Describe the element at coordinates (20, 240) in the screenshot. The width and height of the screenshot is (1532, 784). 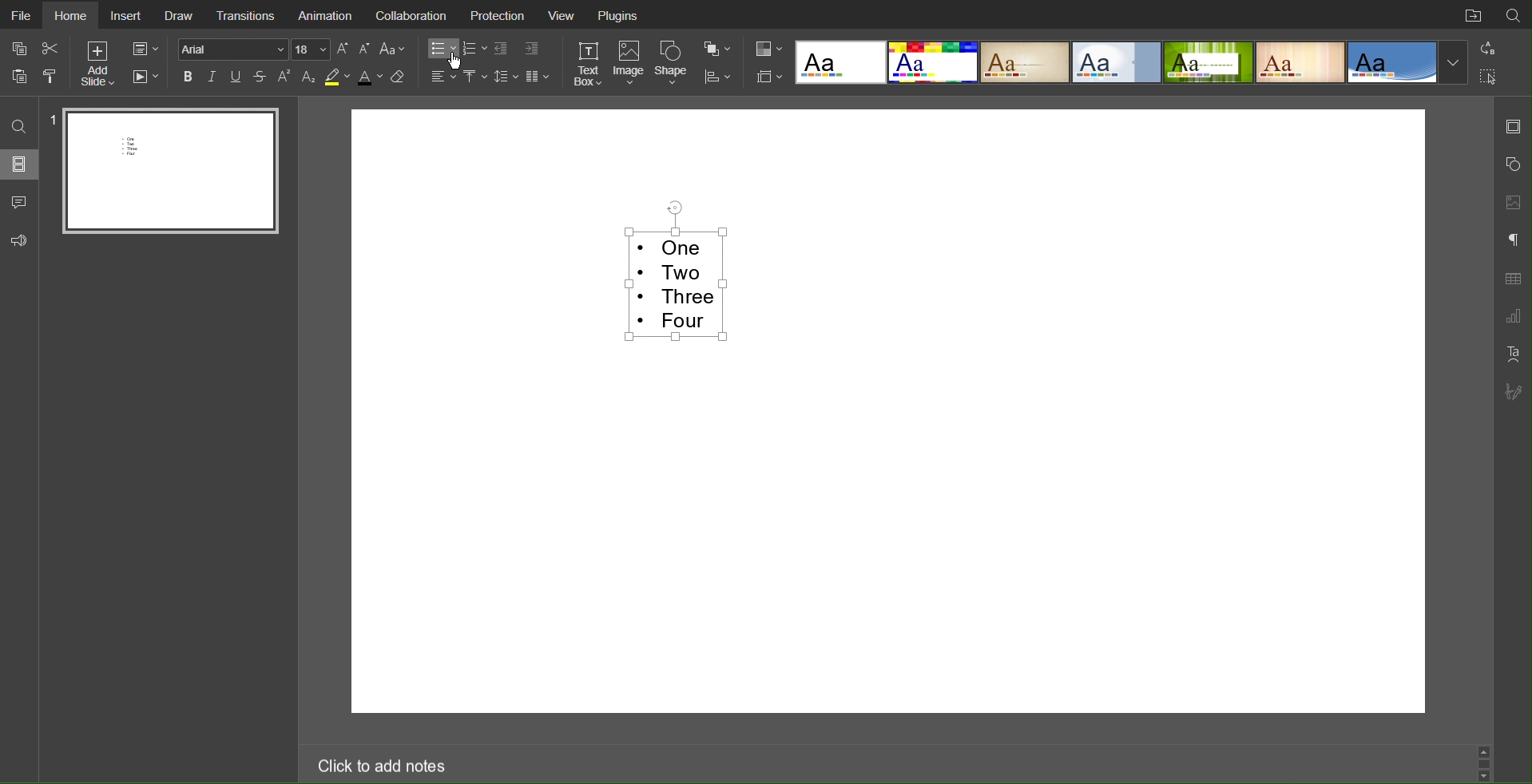
I see `Feedback and Support` at that location.